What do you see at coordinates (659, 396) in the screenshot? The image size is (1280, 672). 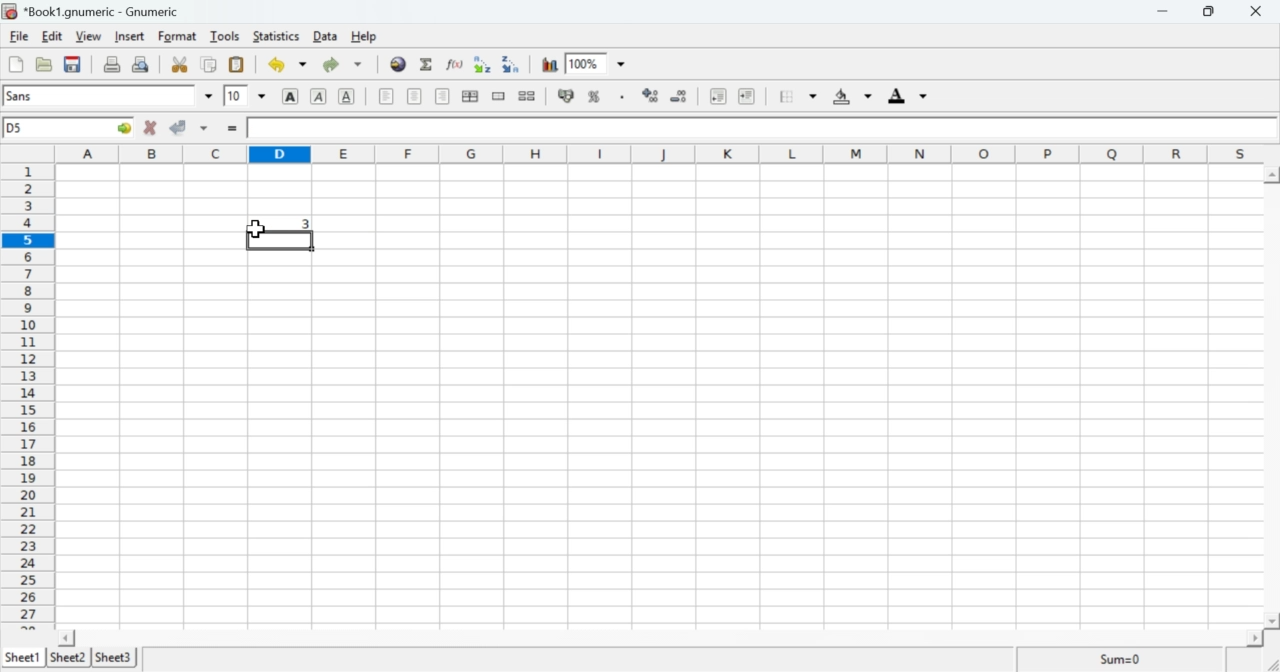 I see `Worksheet` at bounding box center [659, 396].